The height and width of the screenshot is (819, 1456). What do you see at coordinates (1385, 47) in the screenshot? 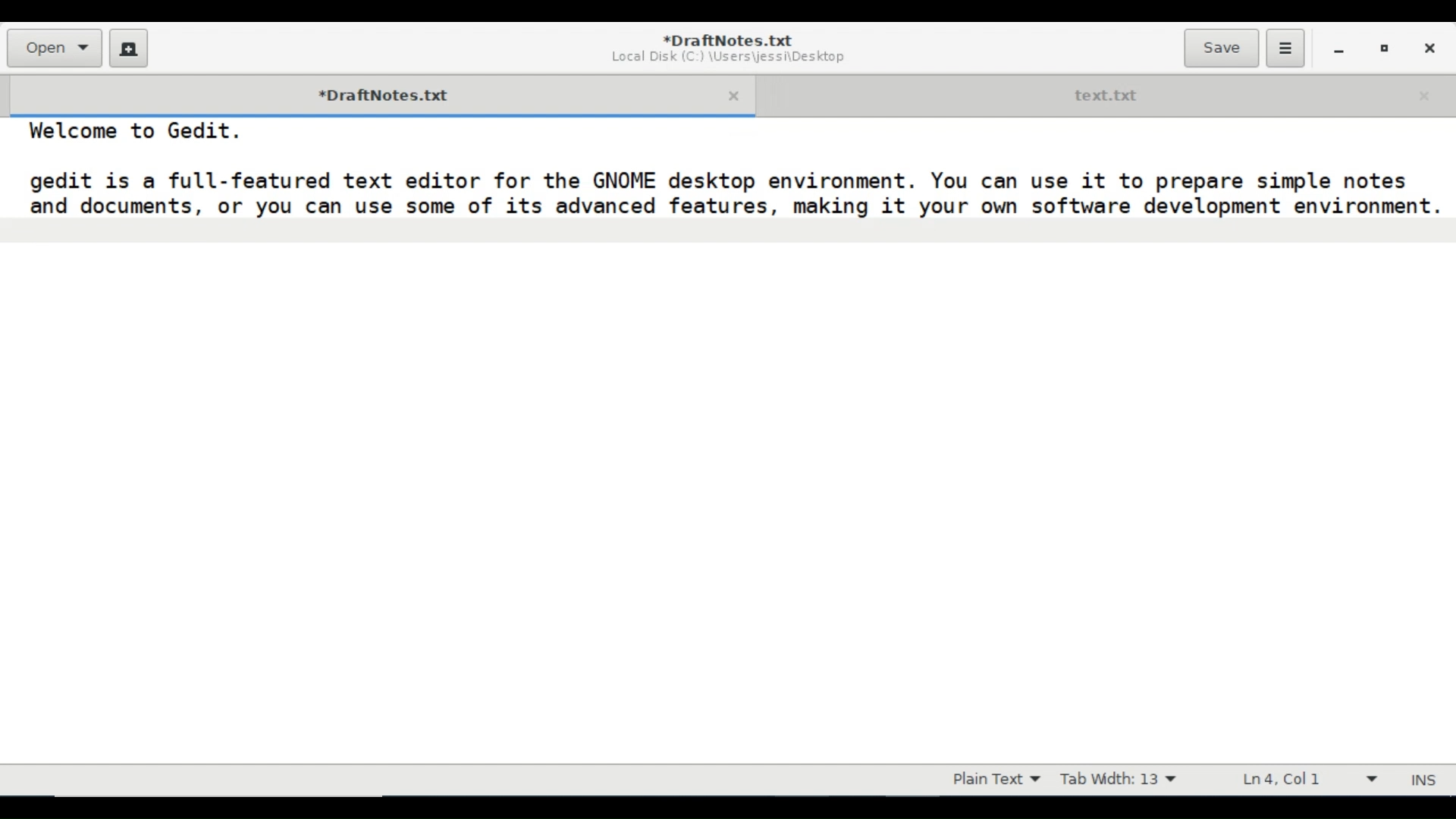
I see `Restore` at bounding box center [1385, 47].